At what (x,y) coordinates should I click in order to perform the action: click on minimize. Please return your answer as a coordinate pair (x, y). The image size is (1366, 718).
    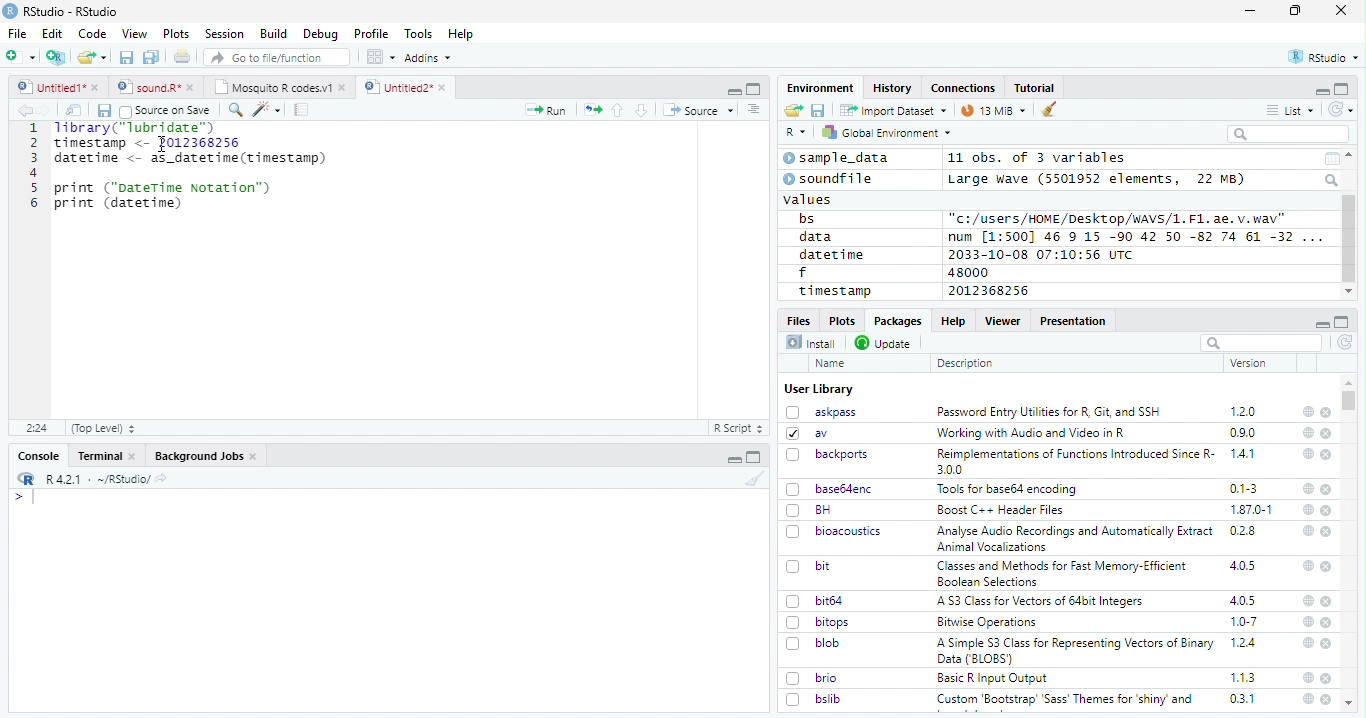
    Looking at the image, I should click on (1321, 322).